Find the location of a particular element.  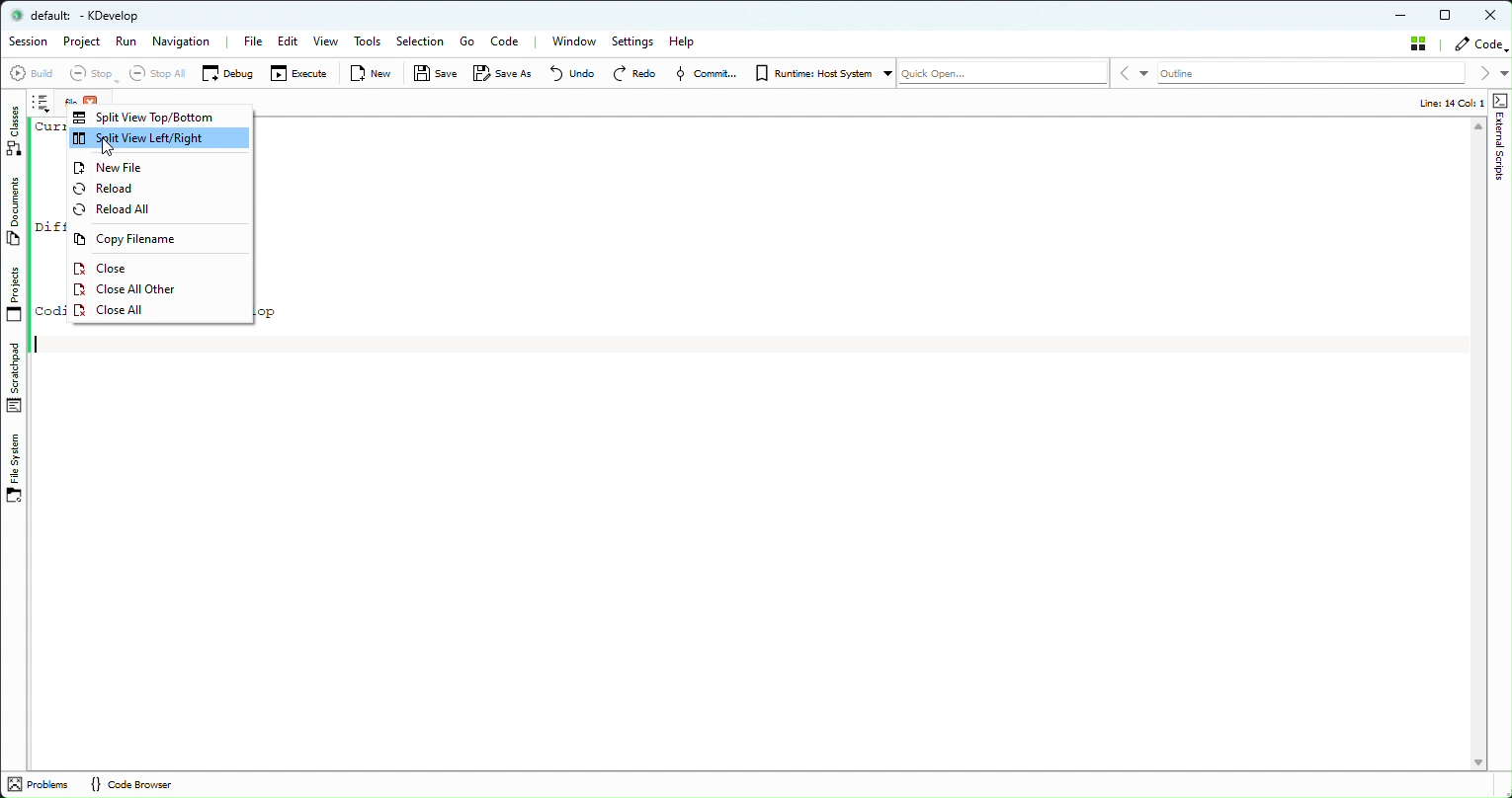

Undo is located at coordinates (574, 75).